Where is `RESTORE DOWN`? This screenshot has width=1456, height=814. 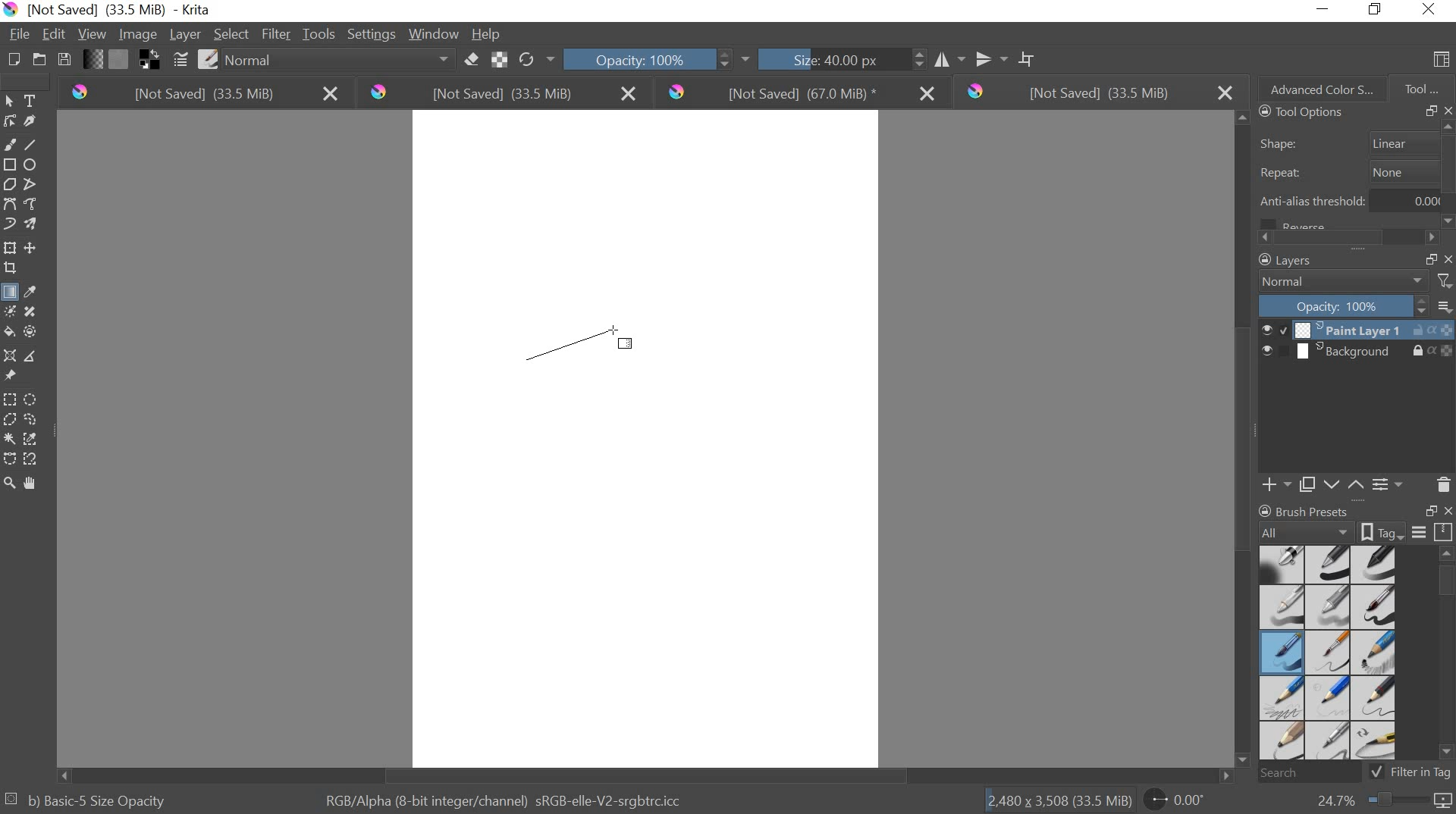 RESTORE DOWN is located at coordinates (1379, 11).